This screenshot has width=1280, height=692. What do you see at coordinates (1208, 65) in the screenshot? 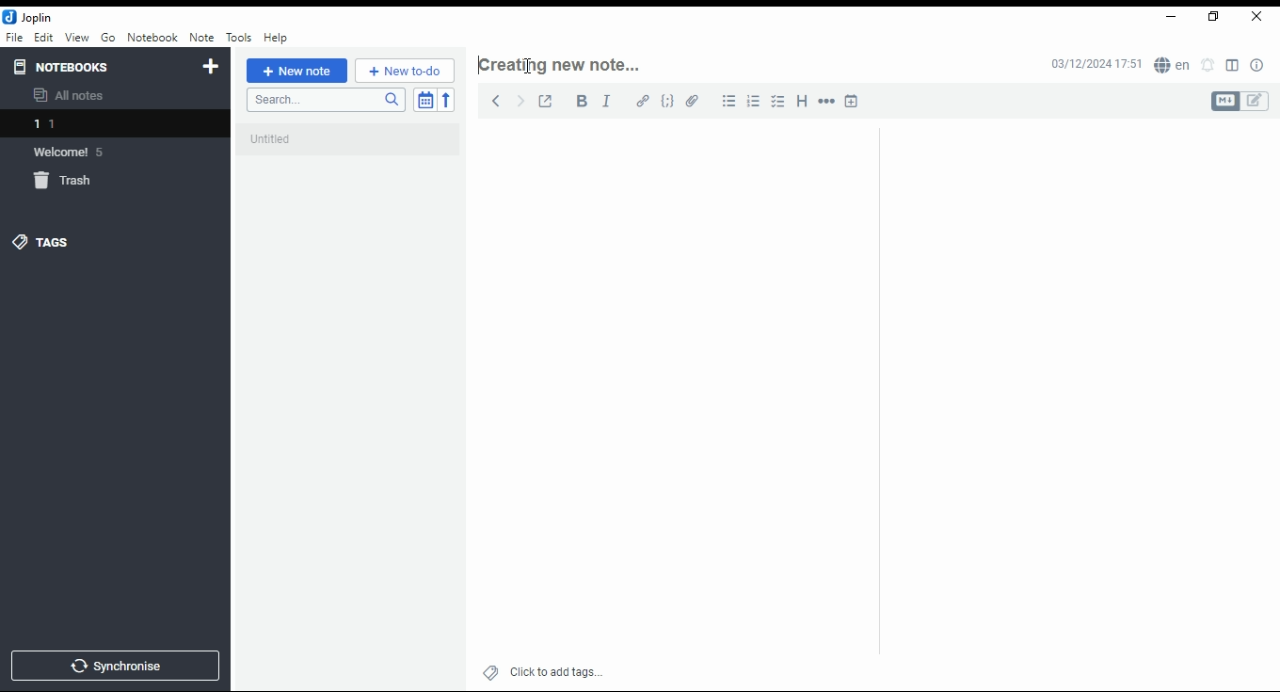
I see `set alarm` at bounding box center [1208, 65].